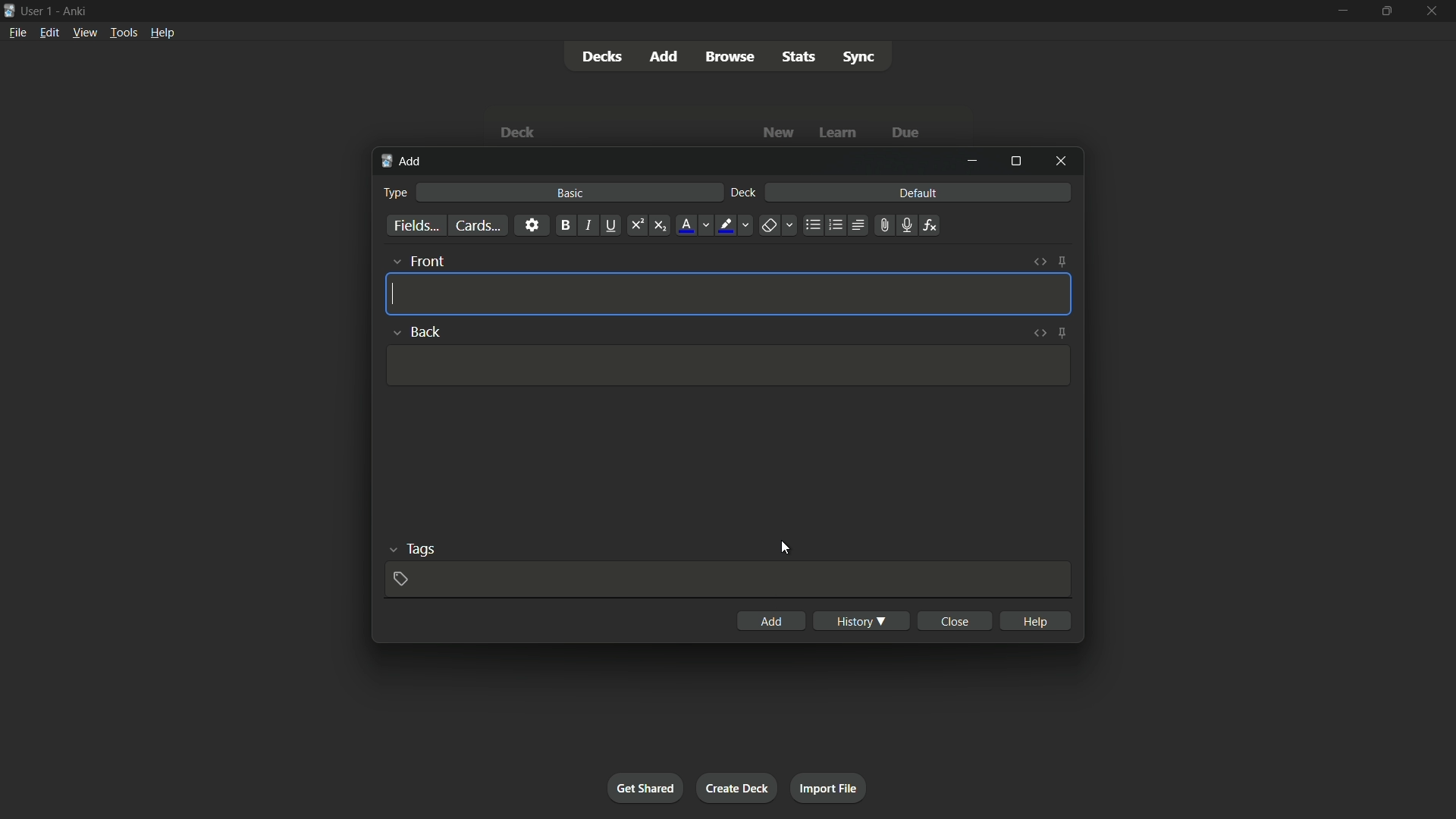  Describe the element at coordinates (695, 226) in the screenshot. I see `font color` at that location.